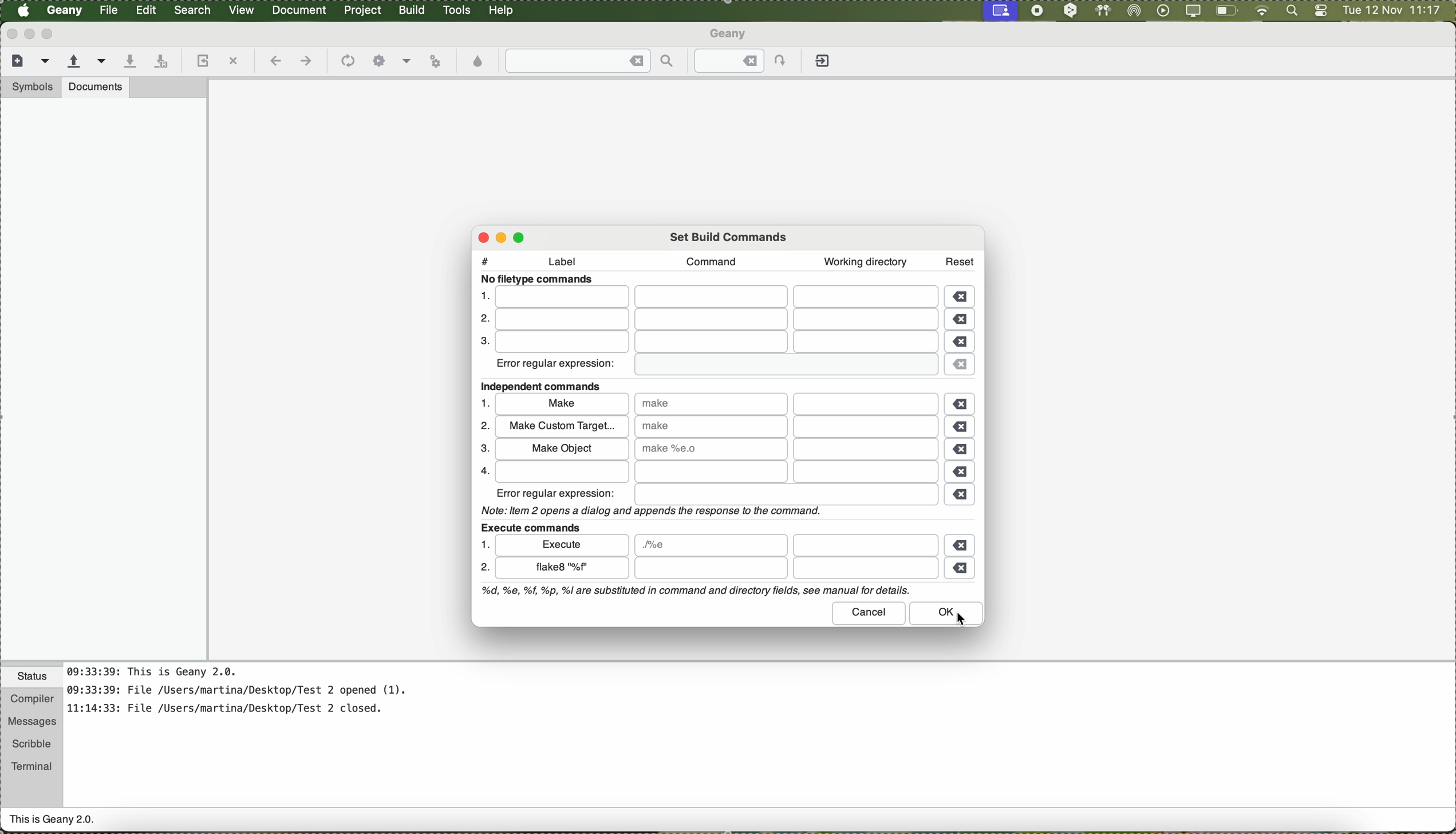 Image resolution: width=1456 pixels, height=834 pixels. What do you see at coordinates (562, 406) in the screenshot?
I see `make` at bounding box center [562, 406].